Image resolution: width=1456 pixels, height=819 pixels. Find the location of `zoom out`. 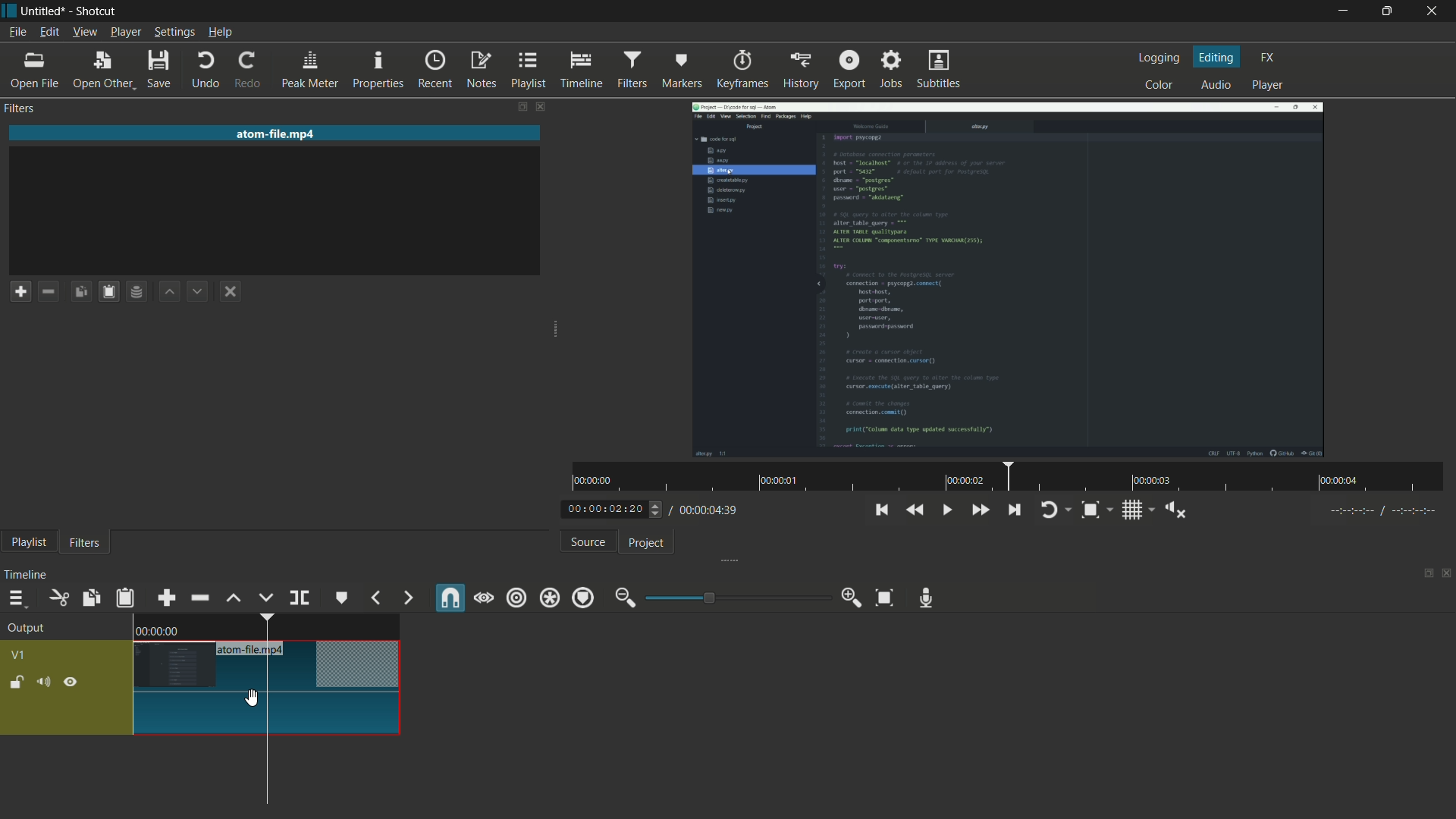

zoom out is located at coordinates (625, 598).